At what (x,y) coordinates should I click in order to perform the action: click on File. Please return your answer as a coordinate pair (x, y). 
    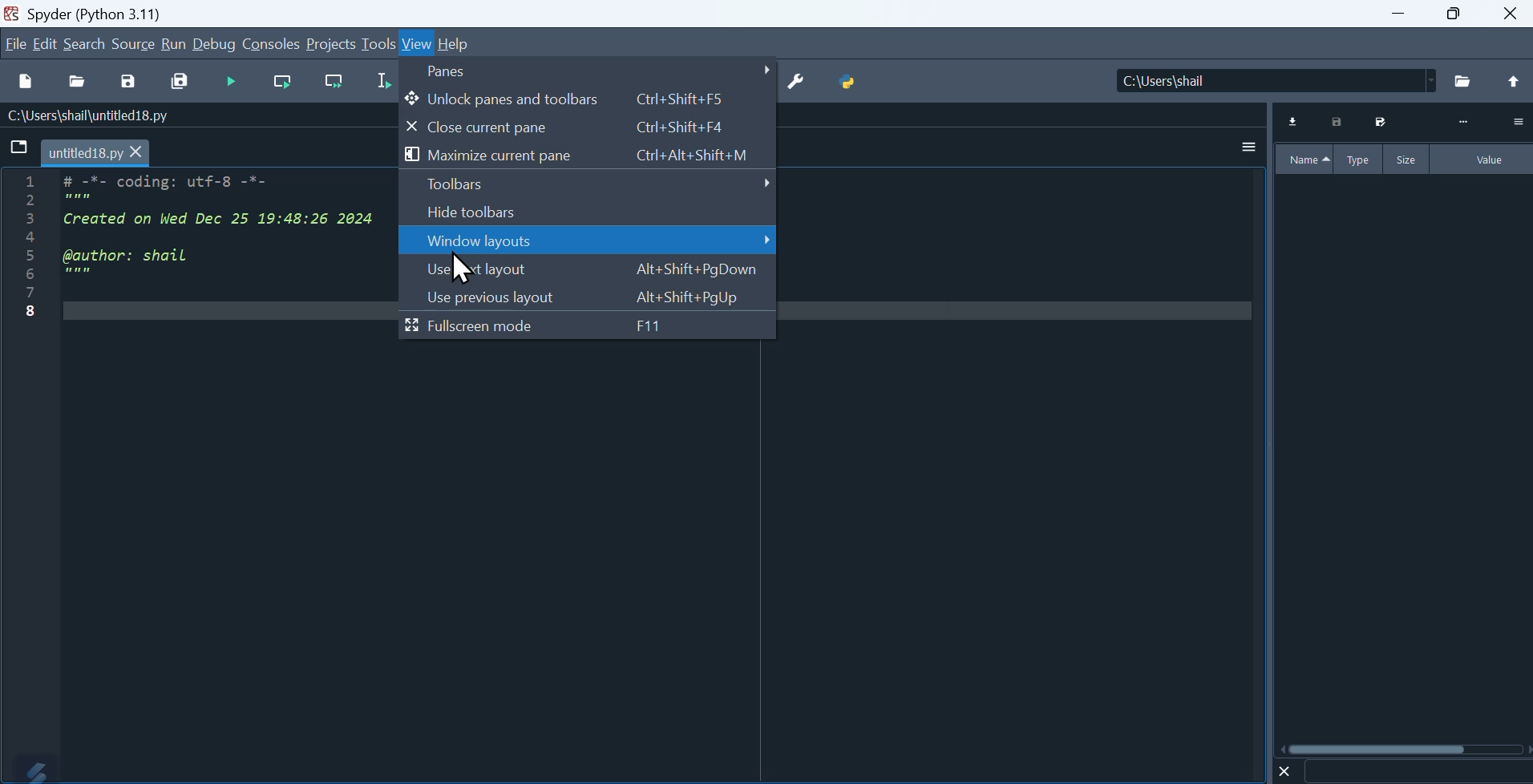
    Looking at the image, I should click on (20, 148).